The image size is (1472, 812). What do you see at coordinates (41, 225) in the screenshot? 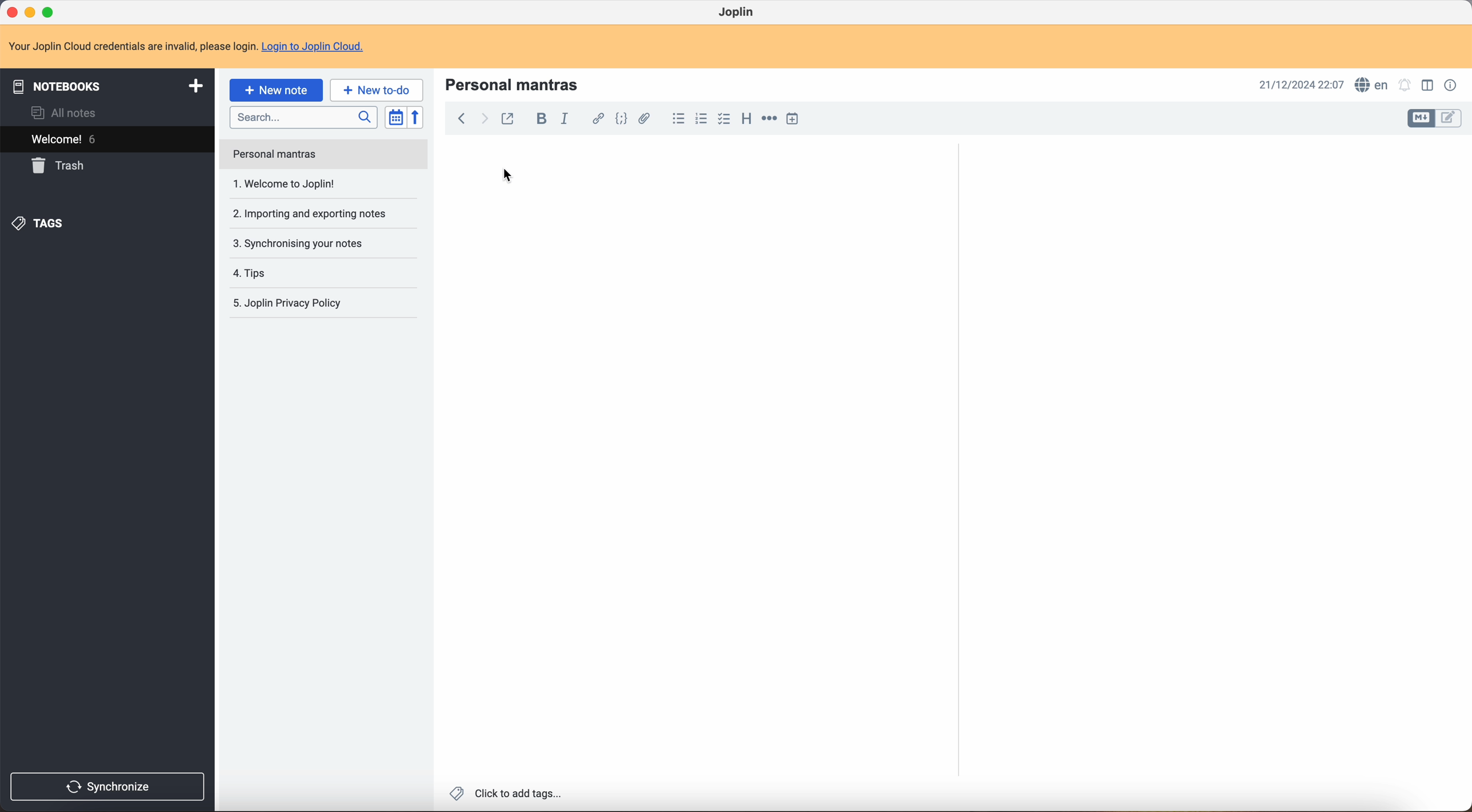
I see `tags` at bounding box center [41, 225].